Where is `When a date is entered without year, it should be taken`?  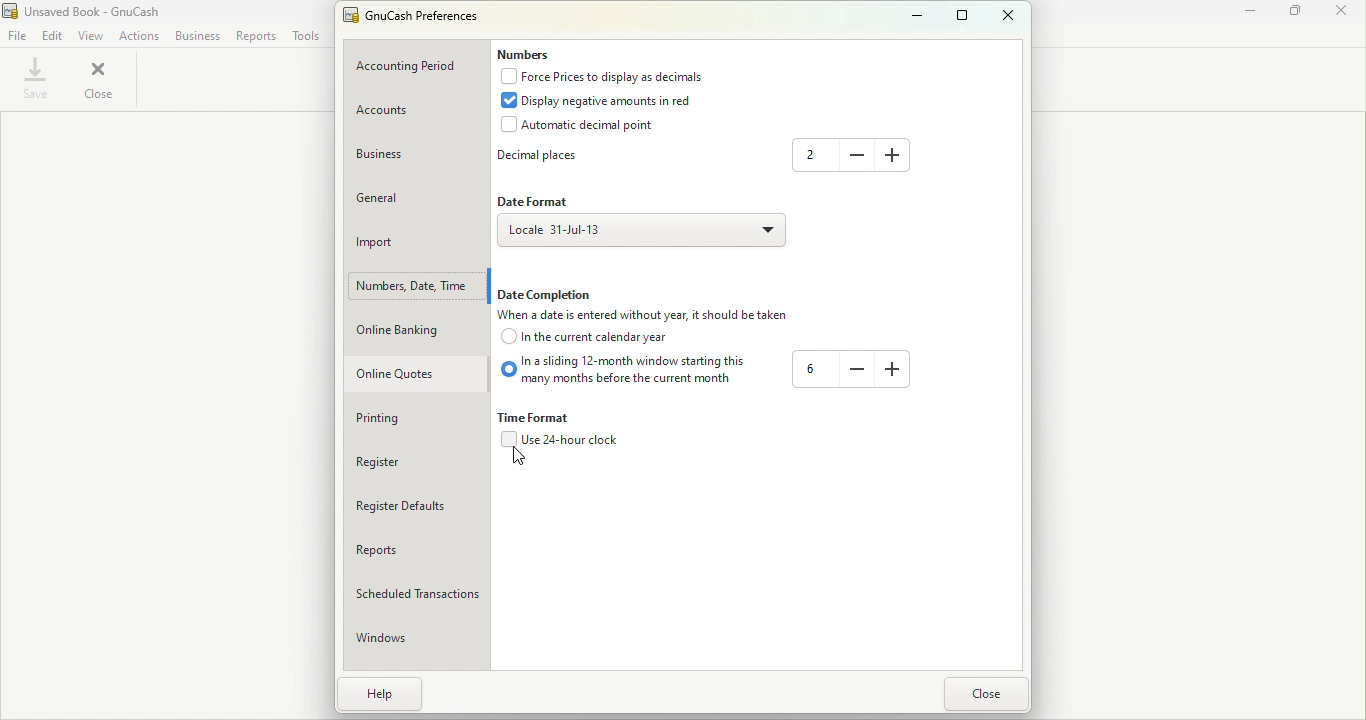
When a date is entered without year, it should be taken is located at coordinates (647, 315).